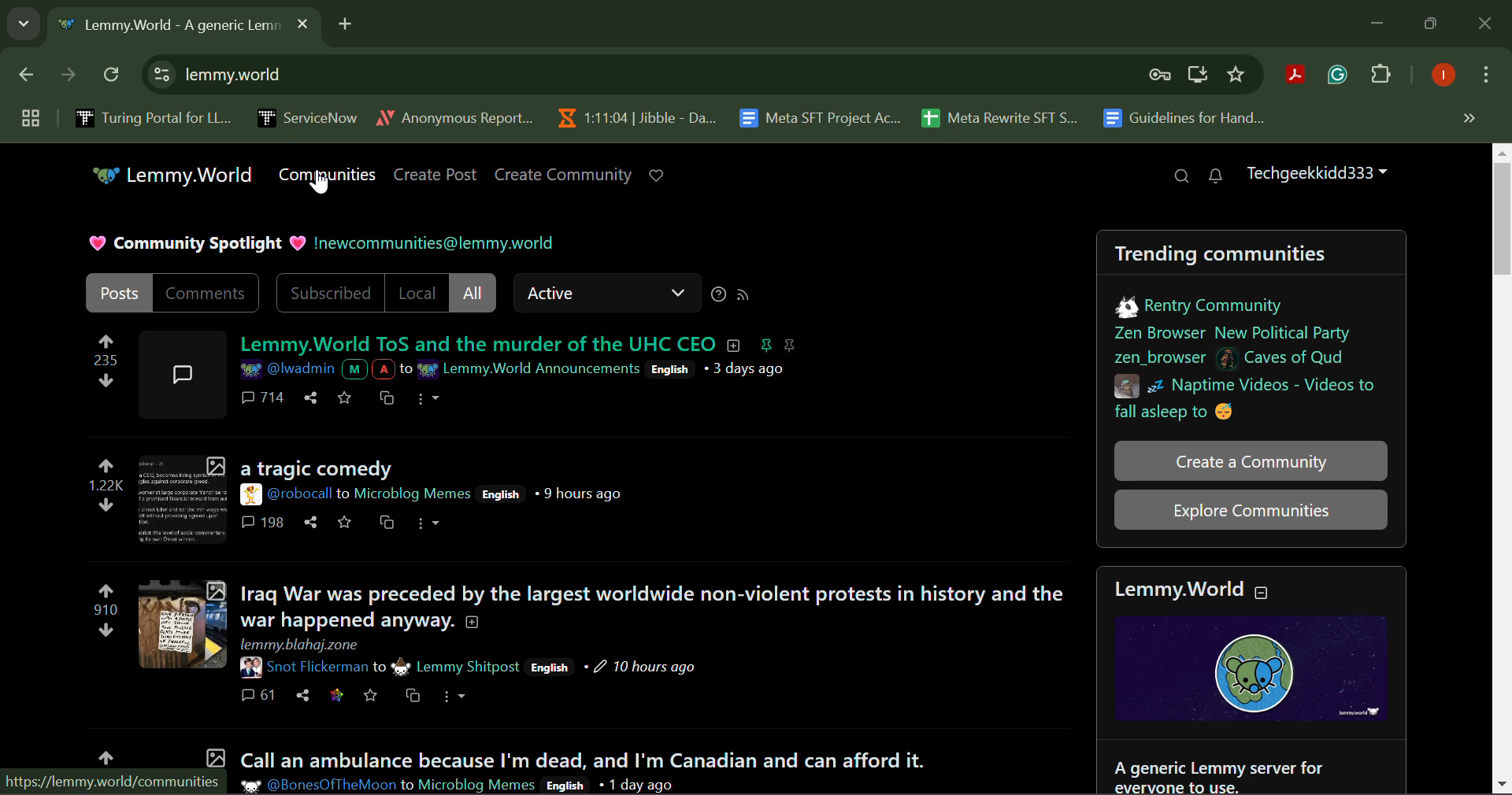 This screenshot has width=1512, height=795. I want to click on Snot Flickerman, so click(302, 667).